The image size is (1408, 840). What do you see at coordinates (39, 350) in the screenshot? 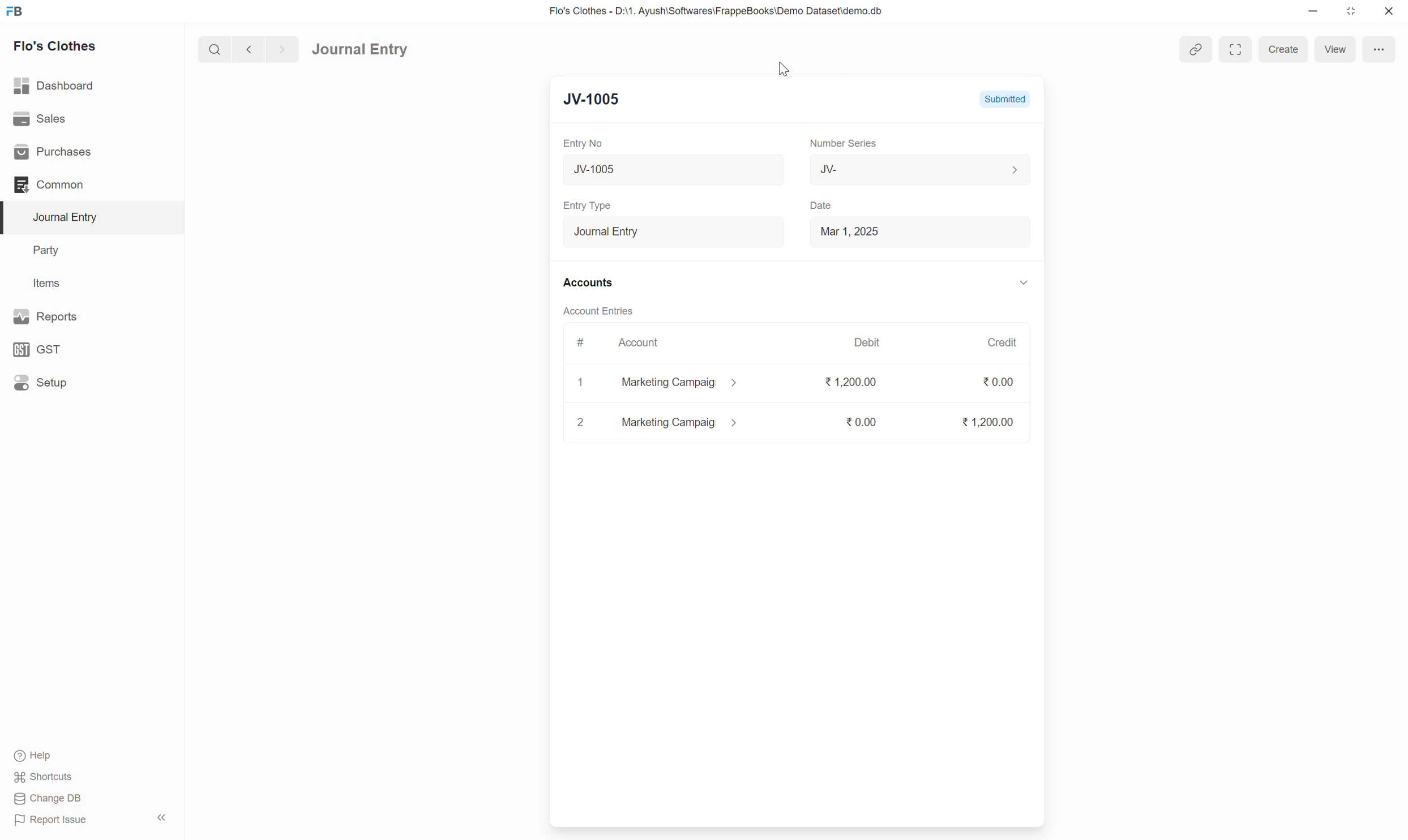
I see `GST` at bounding box center [39, 350].